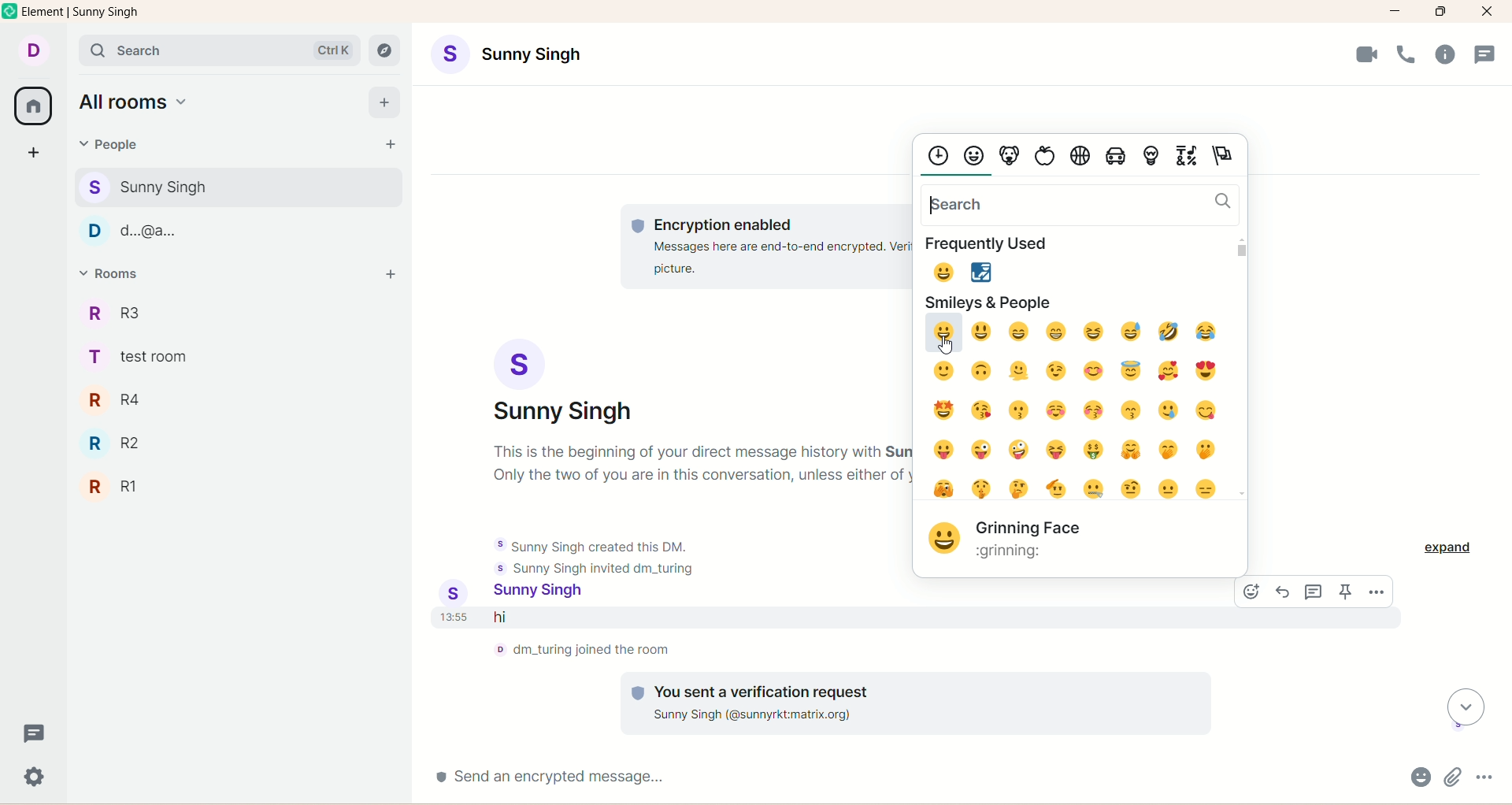 This screenshot has height=805, width=1512. Describe the element at coordinates (1152, 158) in the screenshot. I see `Objects` at that location.